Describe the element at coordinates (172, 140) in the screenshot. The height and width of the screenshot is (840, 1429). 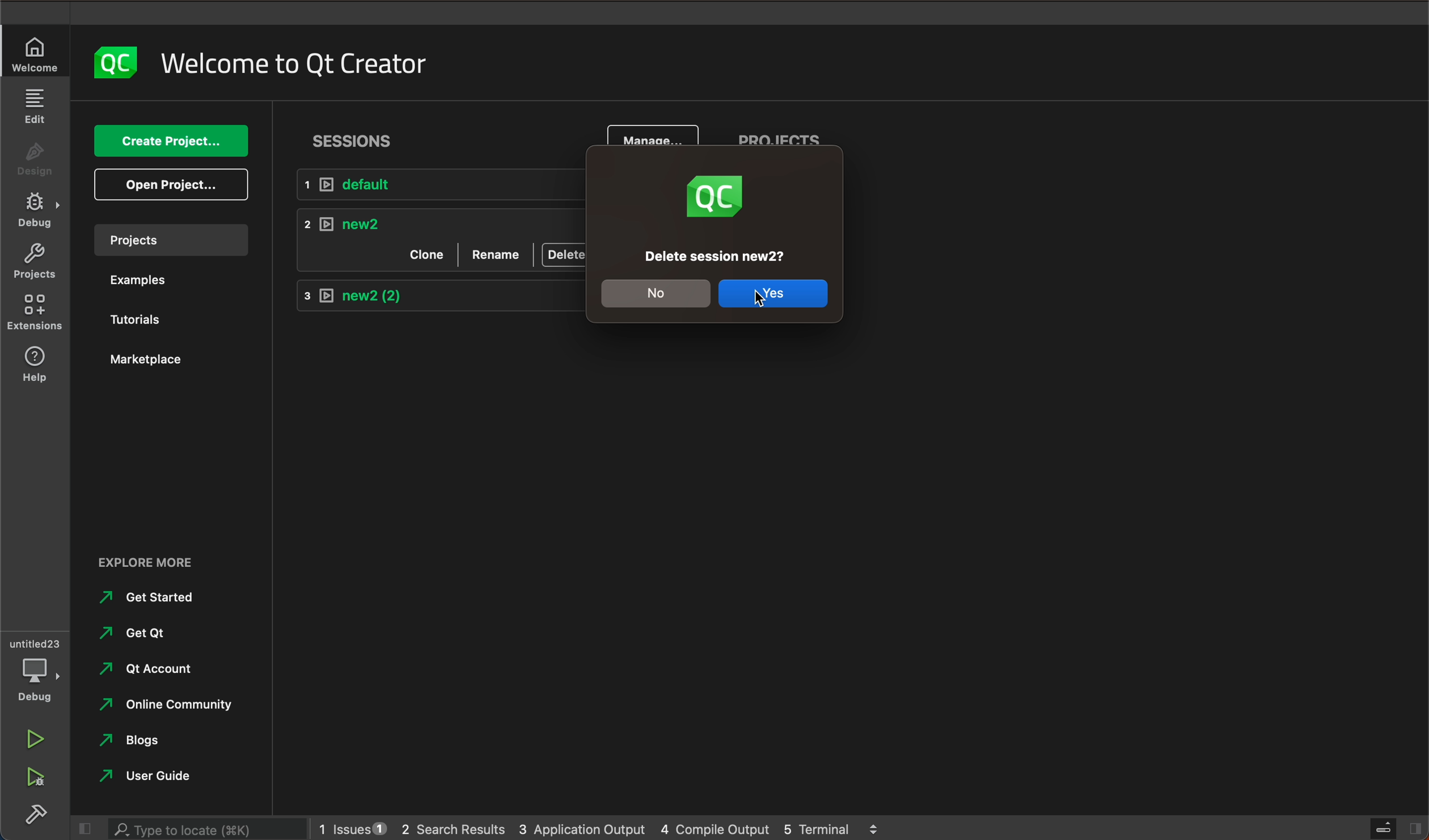
I see `create` at that location.